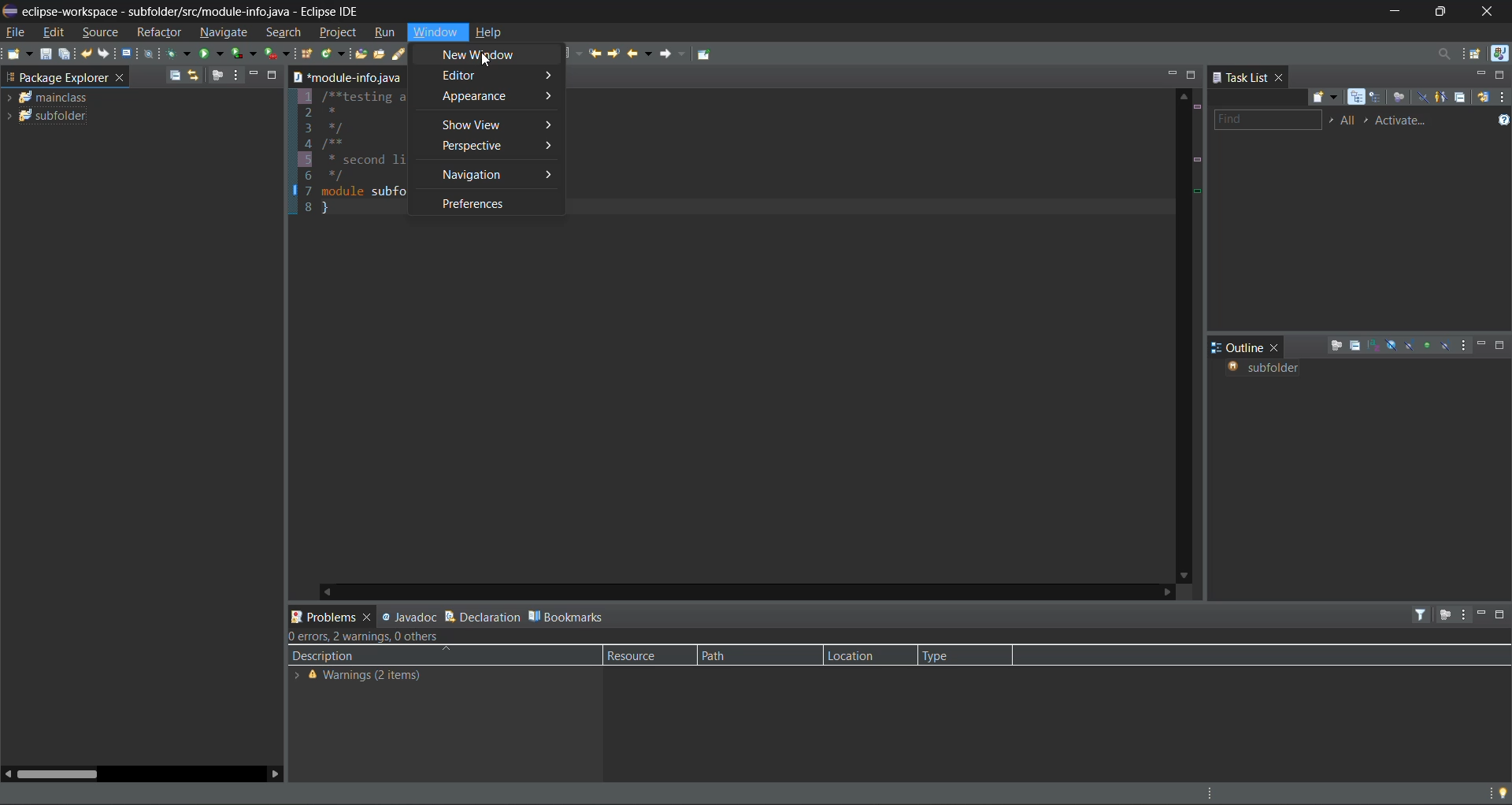 This screenshot has height=805, width=1512. I want to click on refractor, so click(160, 33).